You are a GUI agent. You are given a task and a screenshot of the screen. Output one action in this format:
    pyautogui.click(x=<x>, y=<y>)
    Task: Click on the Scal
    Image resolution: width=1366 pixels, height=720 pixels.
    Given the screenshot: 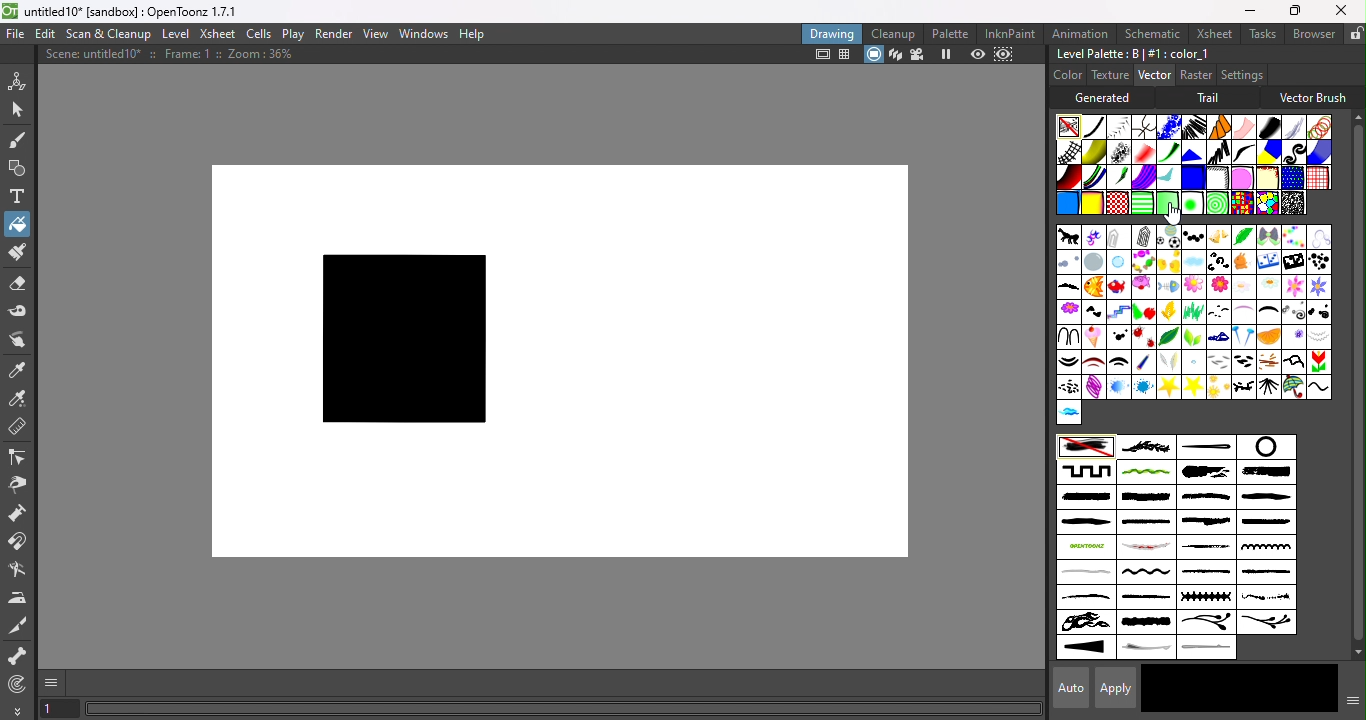 What is the action you would take?
    pyautogui.click(x=1294, y=360)
    